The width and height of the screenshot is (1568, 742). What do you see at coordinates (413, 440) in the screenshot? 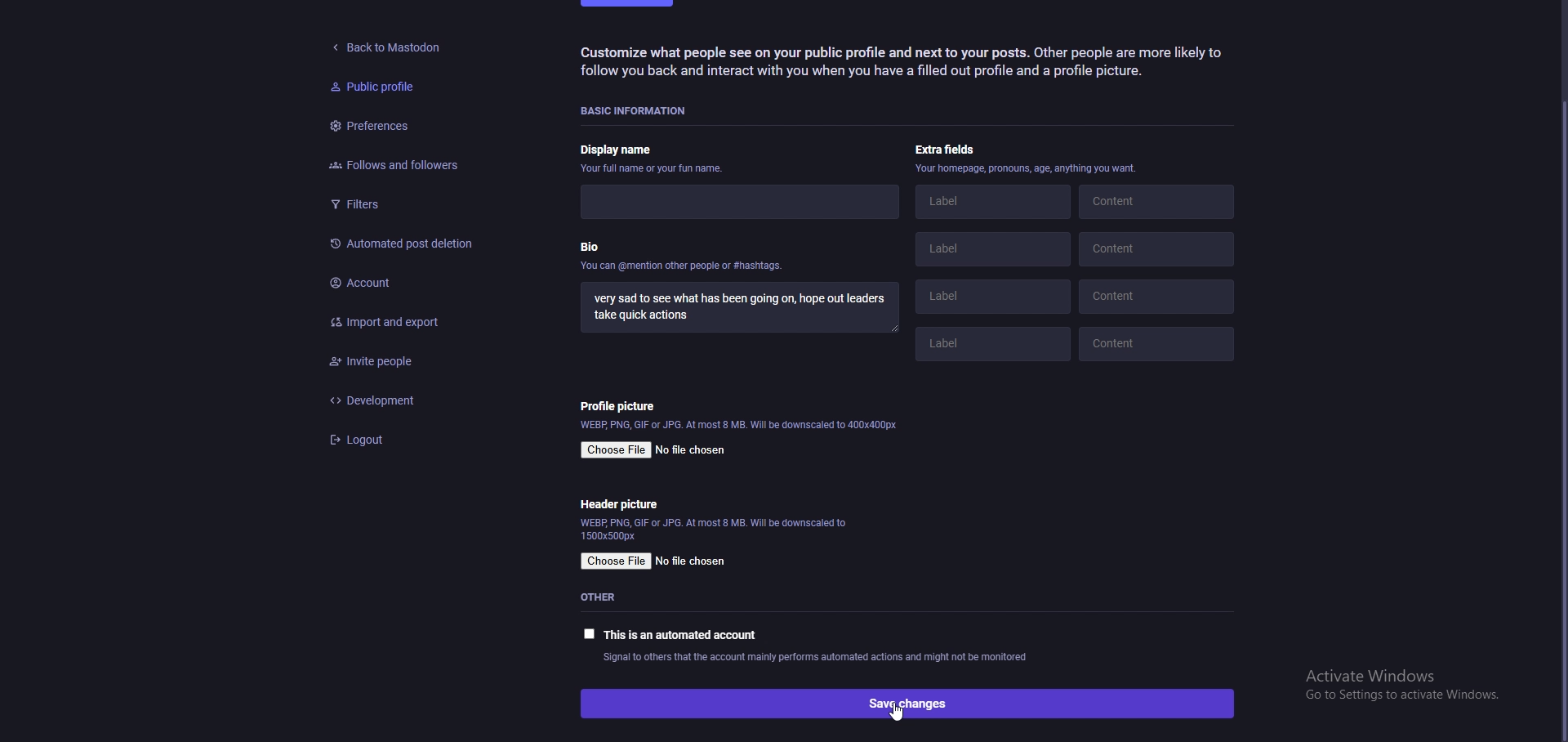
I see `logout` at bounding box center [413, 440].